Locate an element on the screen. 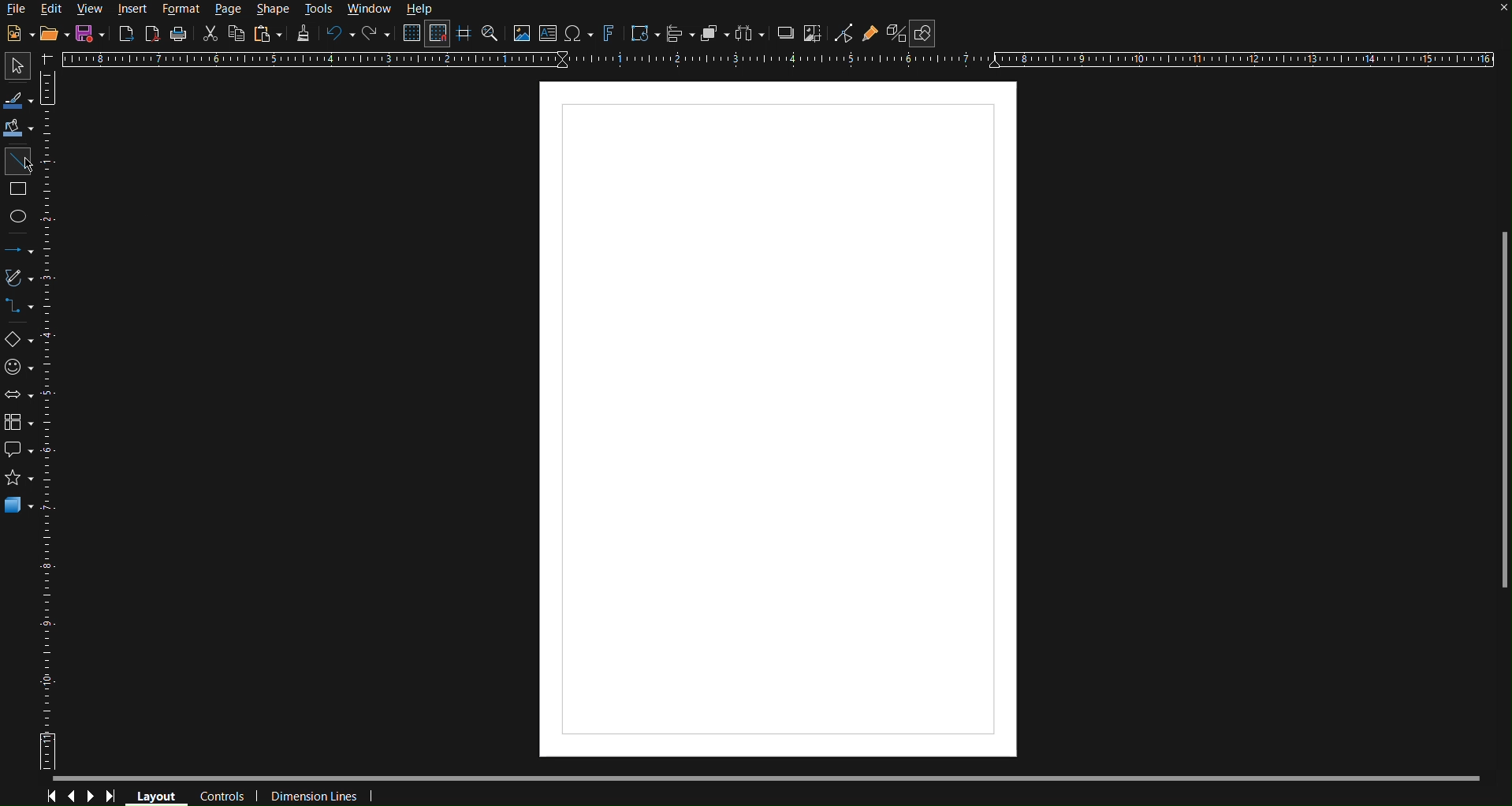  Guidelines while moving is located at coordinates (465, 33).